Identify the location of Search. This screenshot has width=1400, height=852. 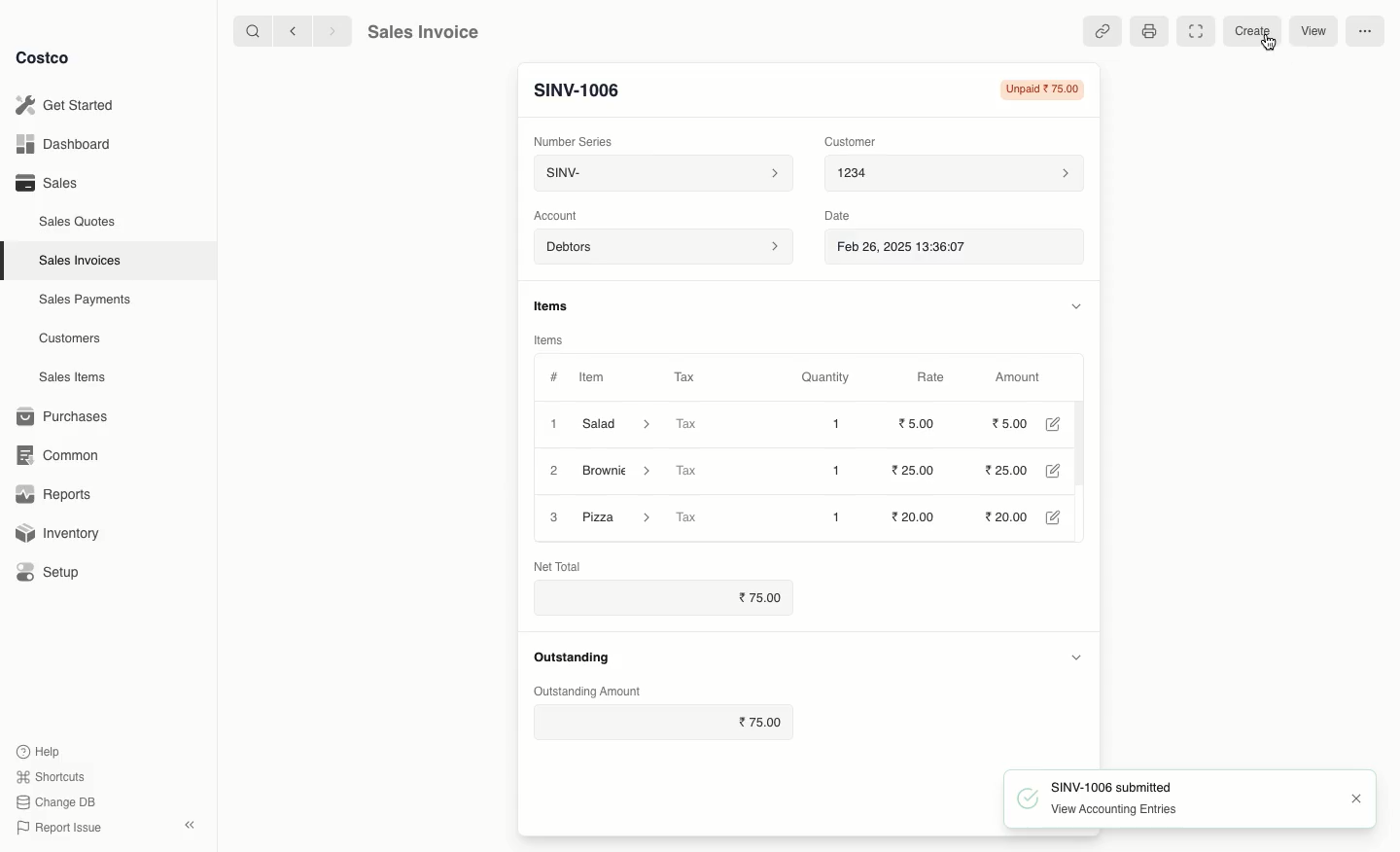
(250, 30).